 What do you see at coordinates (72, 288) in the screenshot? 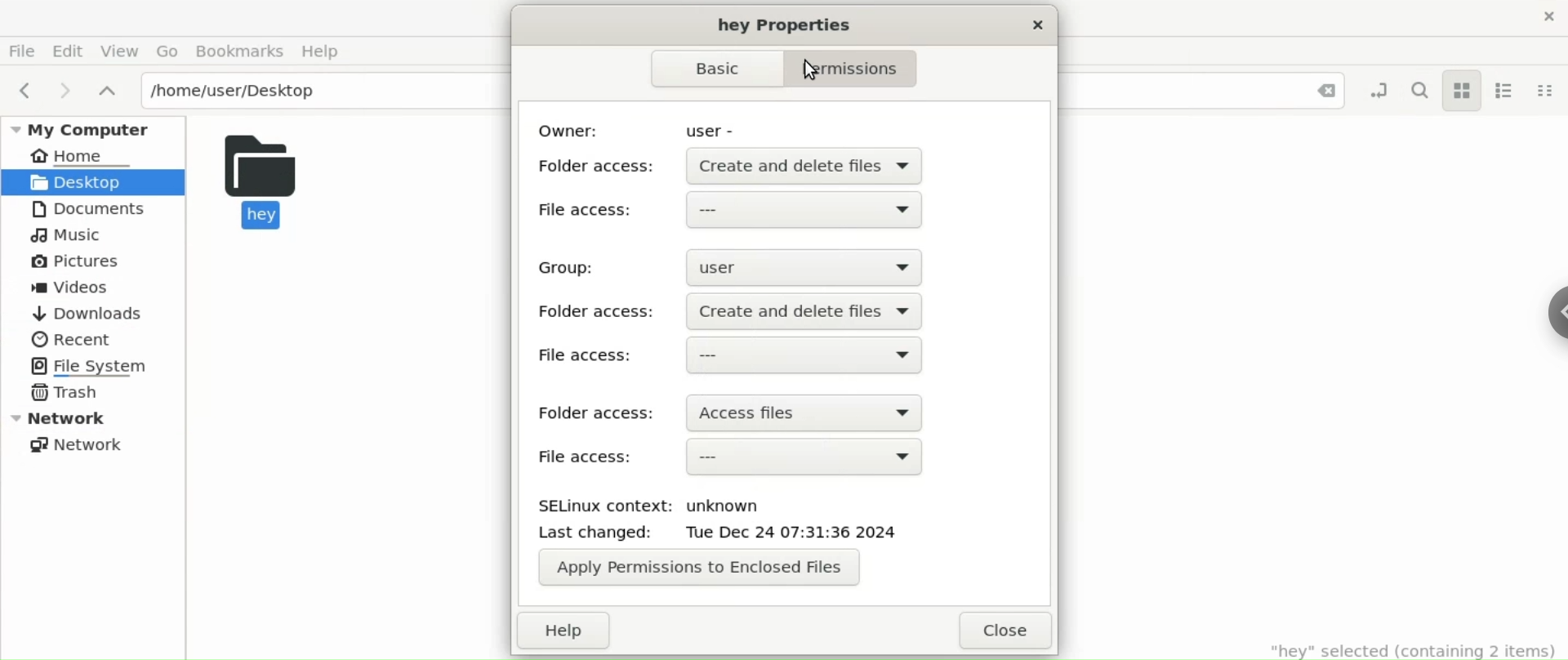
I see `Videos` at bounding box center [72, 288].